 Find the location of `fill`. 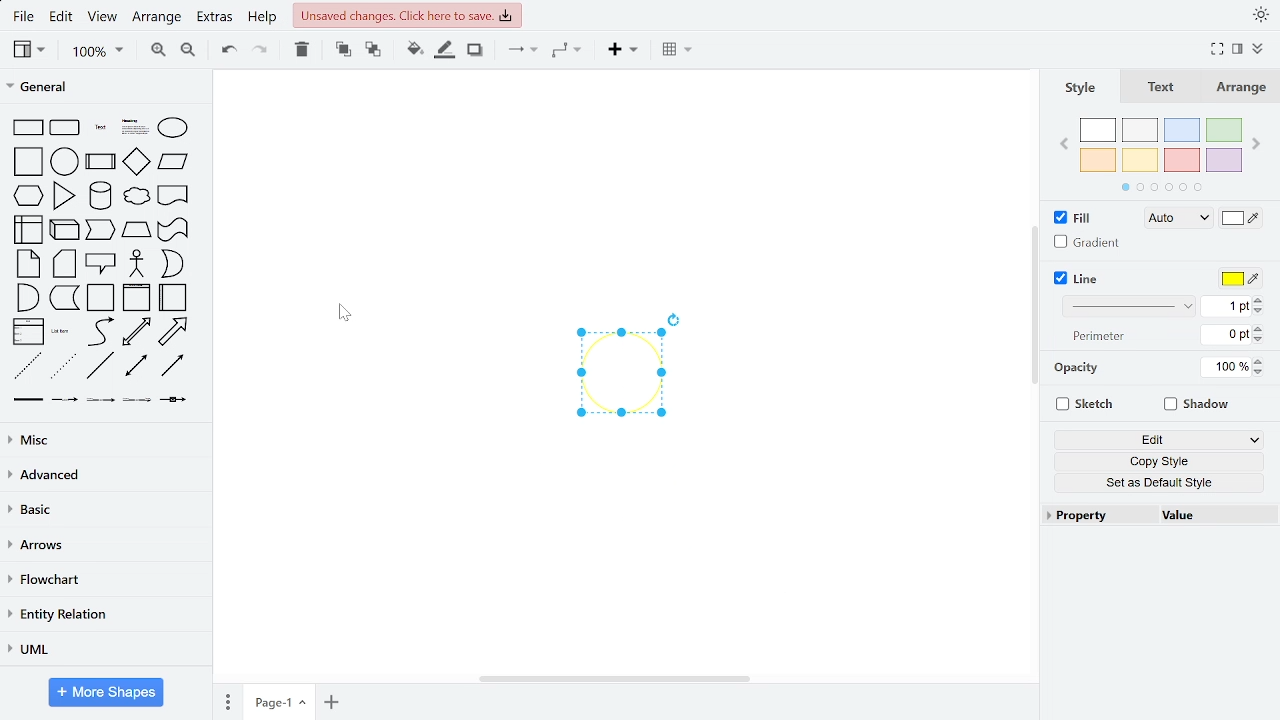

fill is located at coordinates (1078, 219).